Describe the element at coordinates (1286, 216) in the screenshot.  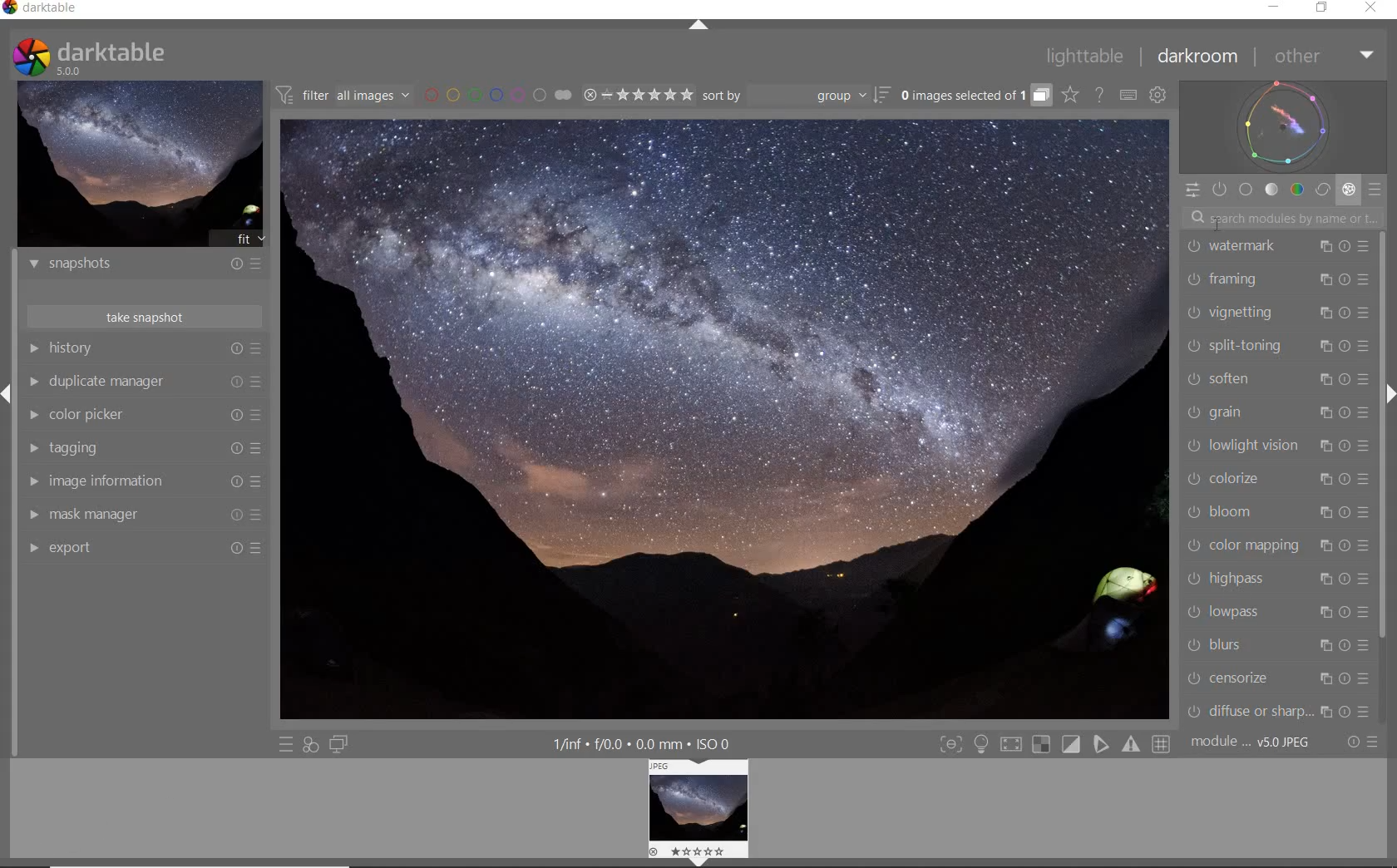
I see `SEARCH MODULE BY NAME` at that location.